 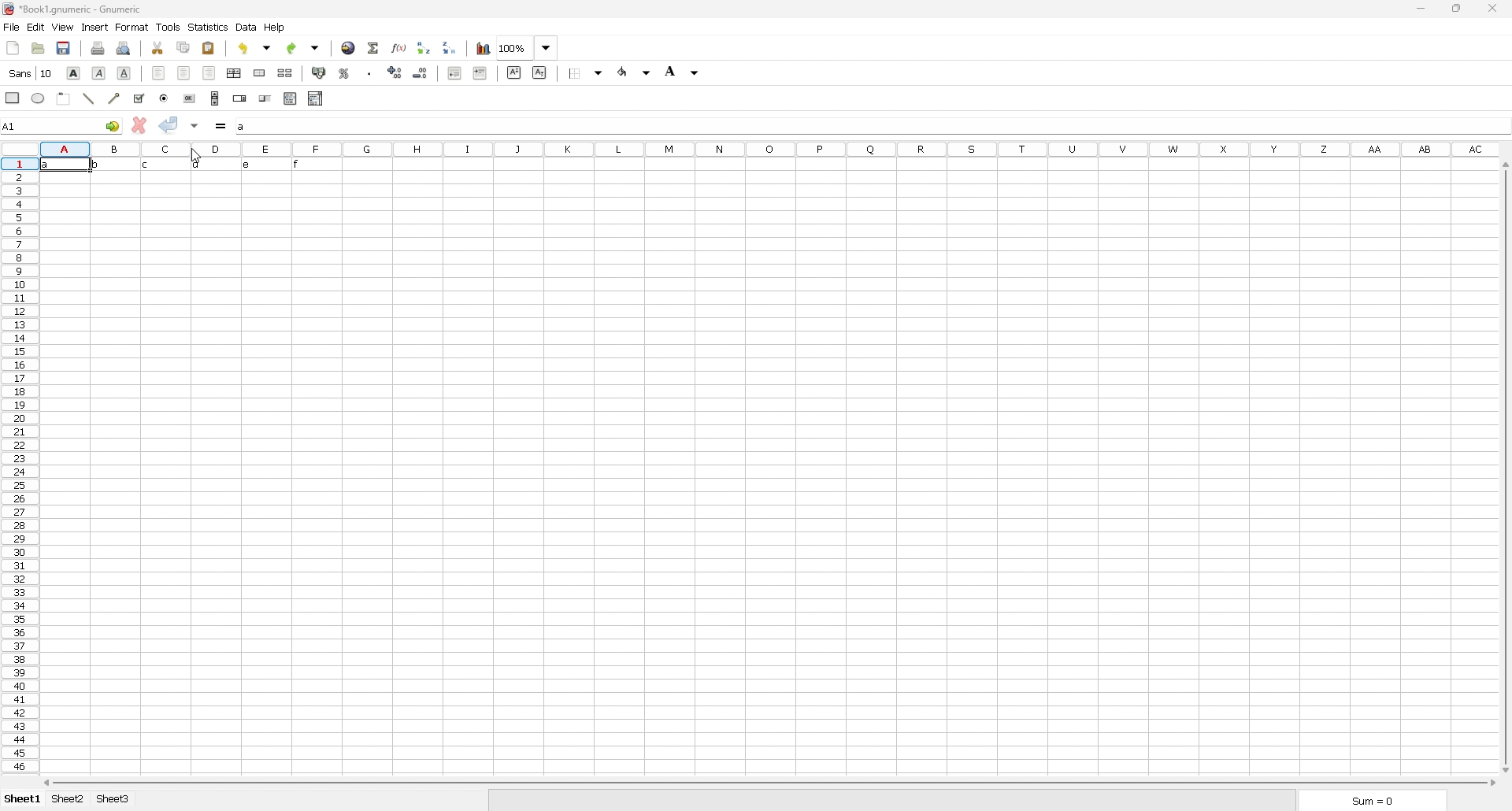 I want to click on cancel changes, so click(x=139, y=124).